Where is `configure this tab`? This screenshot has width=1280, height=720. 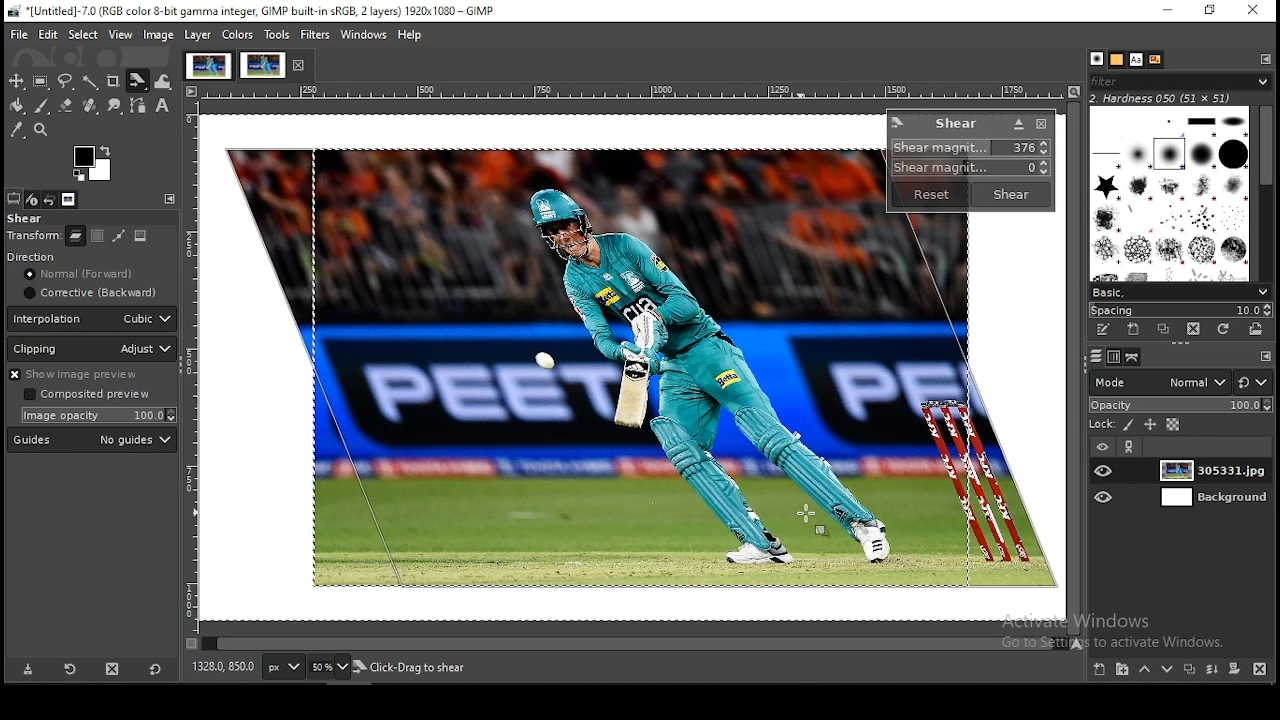
configure this tab is located at coordinates (1267, 59).